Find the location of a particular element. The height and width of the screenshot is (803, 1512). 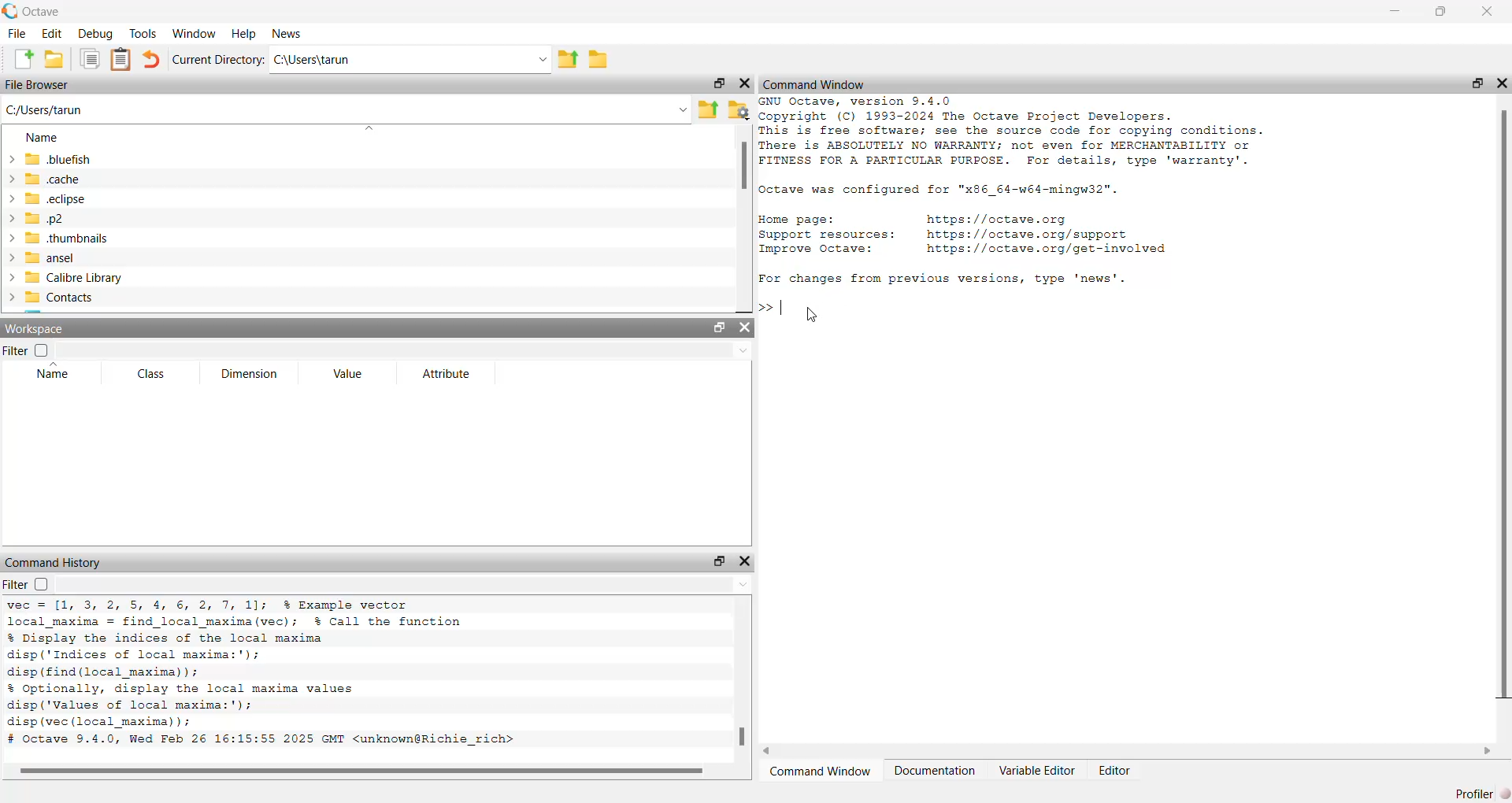

Contacts is located at coordinates (59, 297).